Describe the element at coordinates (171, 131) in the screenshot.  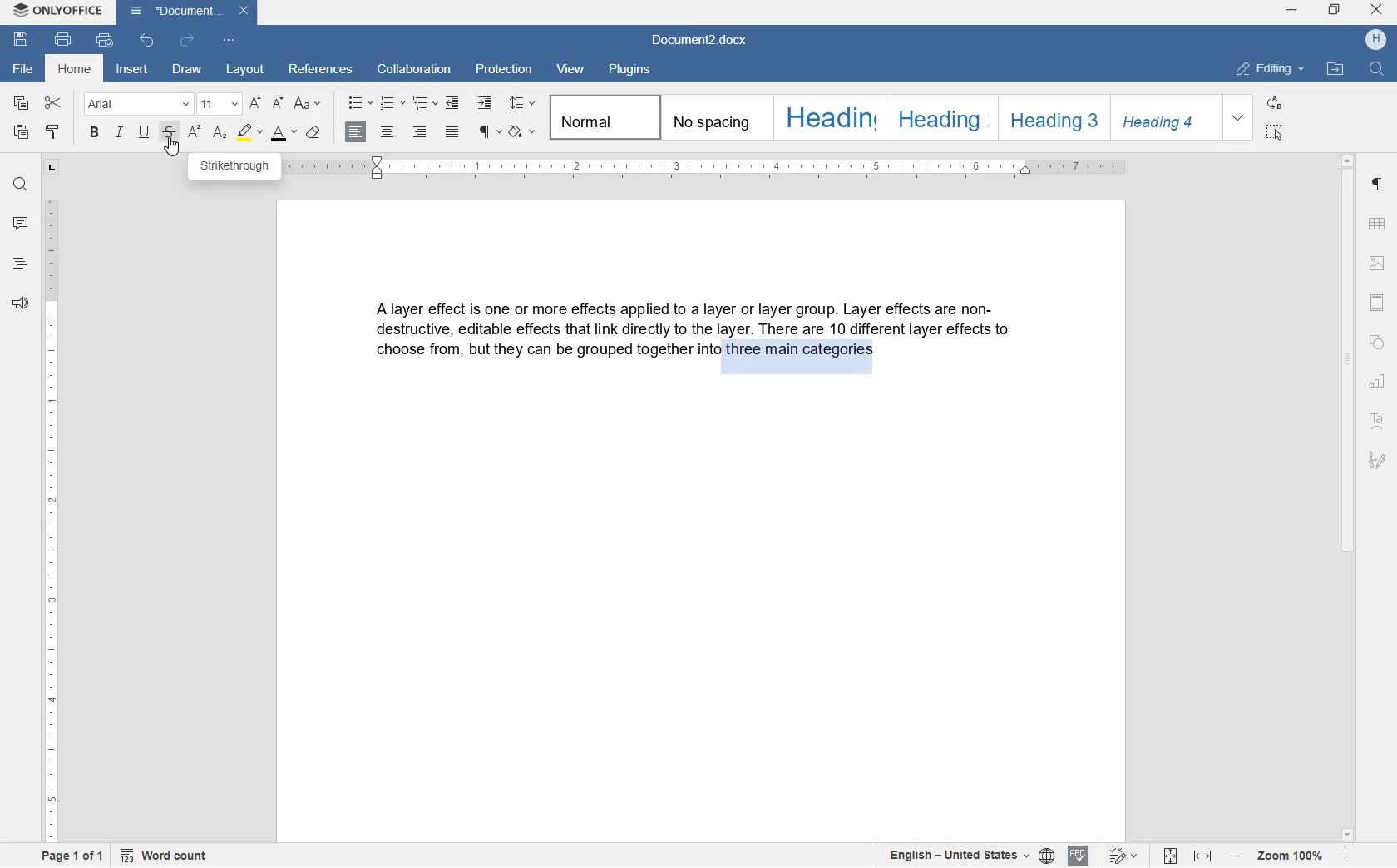
I see `strike through` at that location.